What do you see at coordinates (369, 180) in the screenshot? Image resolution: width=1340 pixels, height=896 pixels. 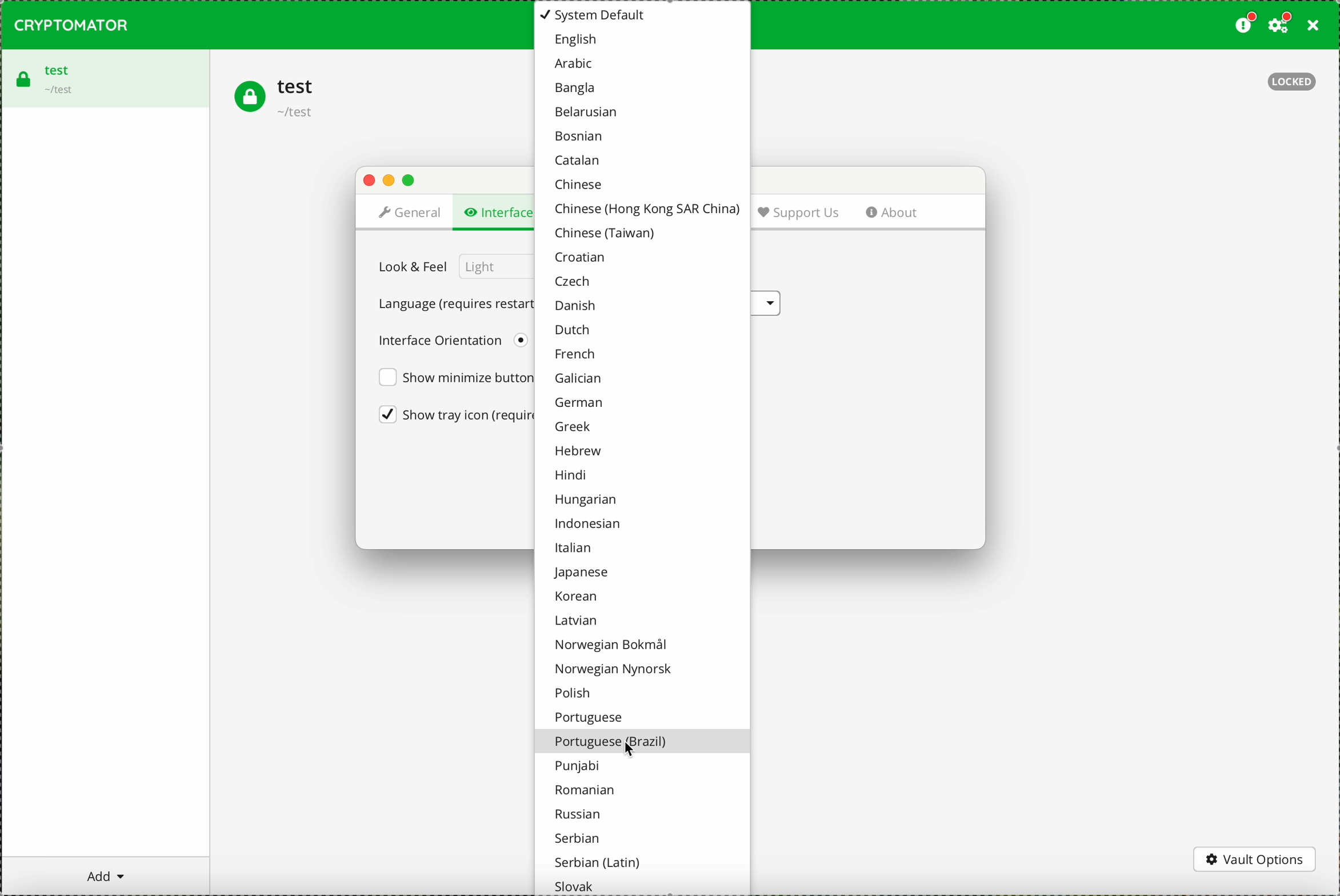 I see `close popup` at bounding box center [369, 180].